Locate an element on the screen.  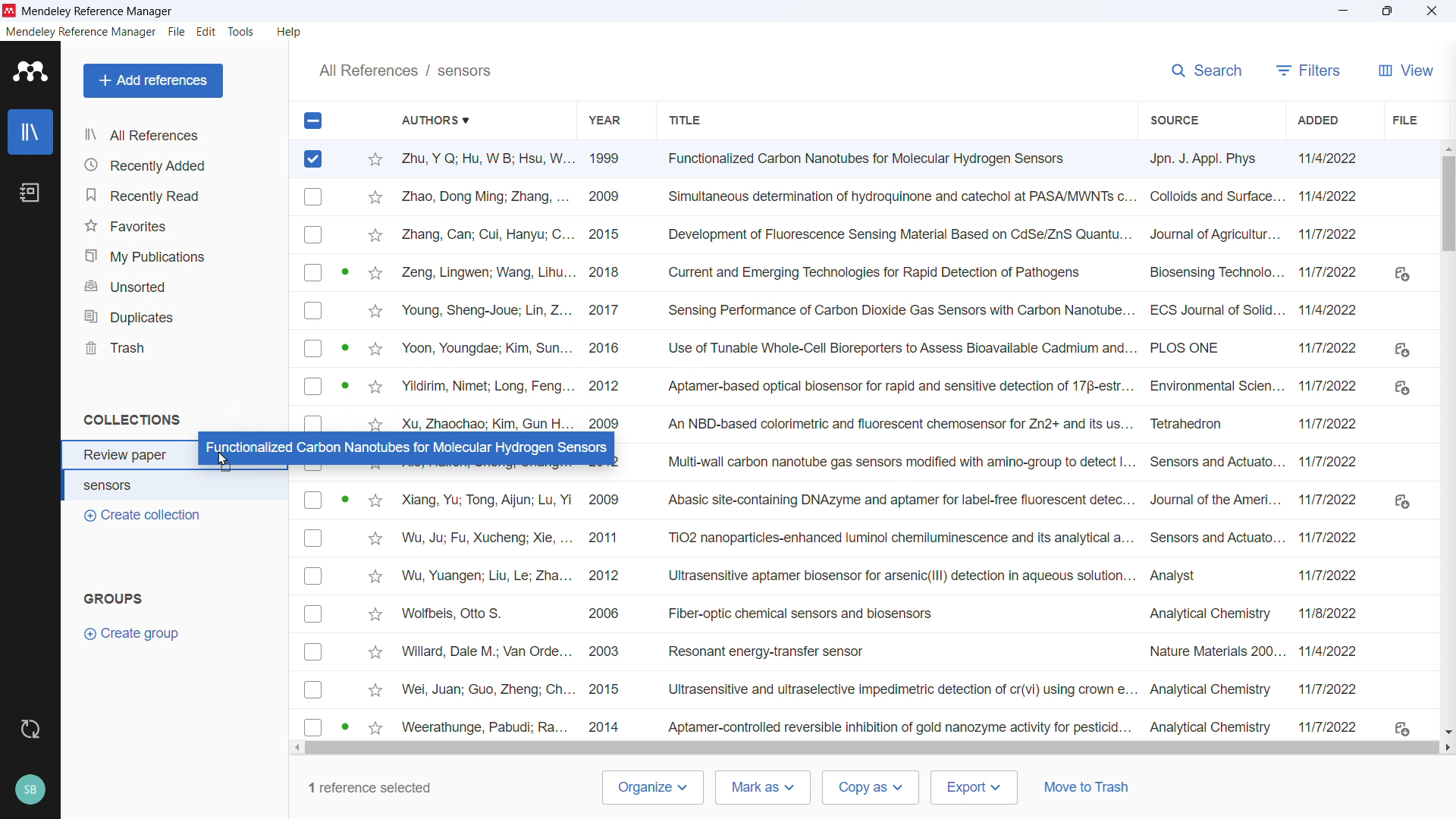
Authors of individual entries  is located at coordinates (485, 611).